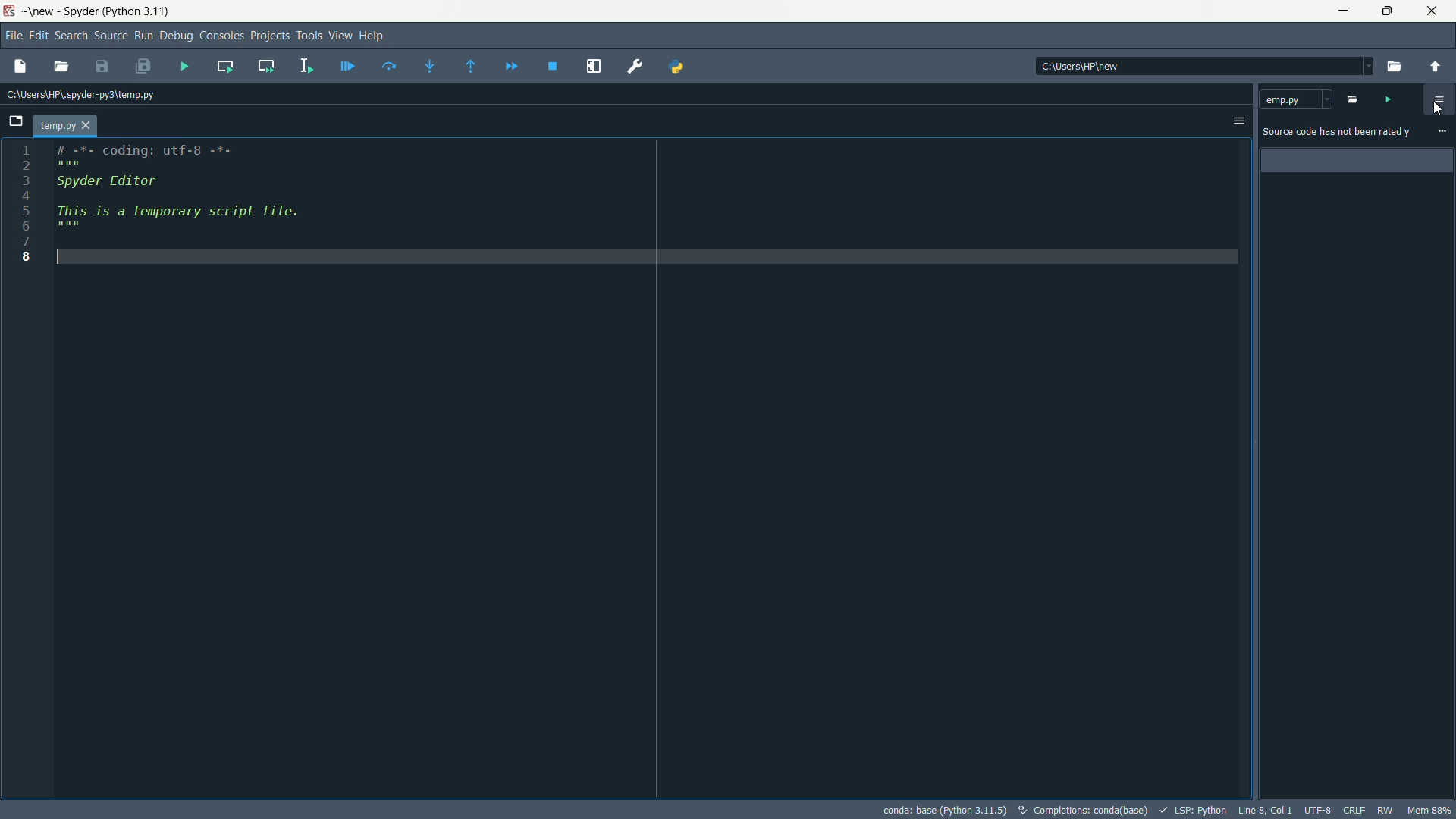 The height and width of the screenshot is (819, 1456). What do you see at coordinates (431, 67) in the screenshot?
I see `step into function` at bounding box center [431, 67].